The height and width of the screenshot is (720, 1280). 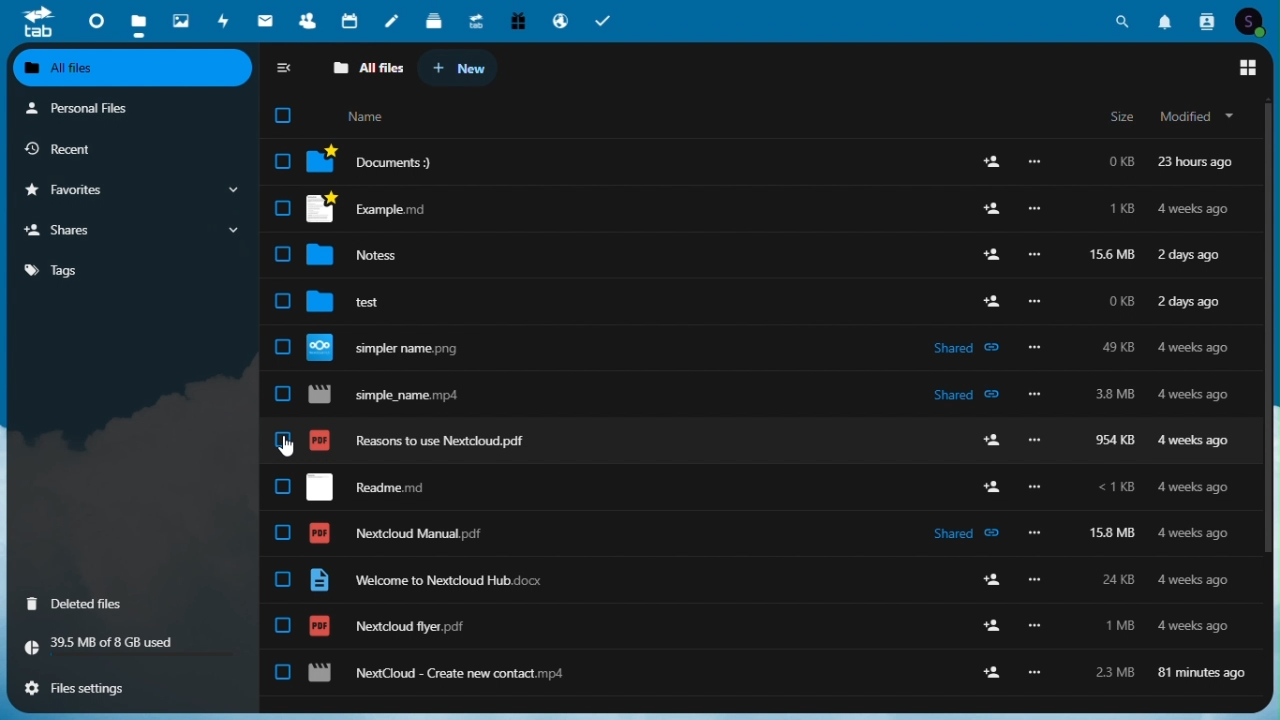 I want to click on Photos, so click(x=181, y=19).